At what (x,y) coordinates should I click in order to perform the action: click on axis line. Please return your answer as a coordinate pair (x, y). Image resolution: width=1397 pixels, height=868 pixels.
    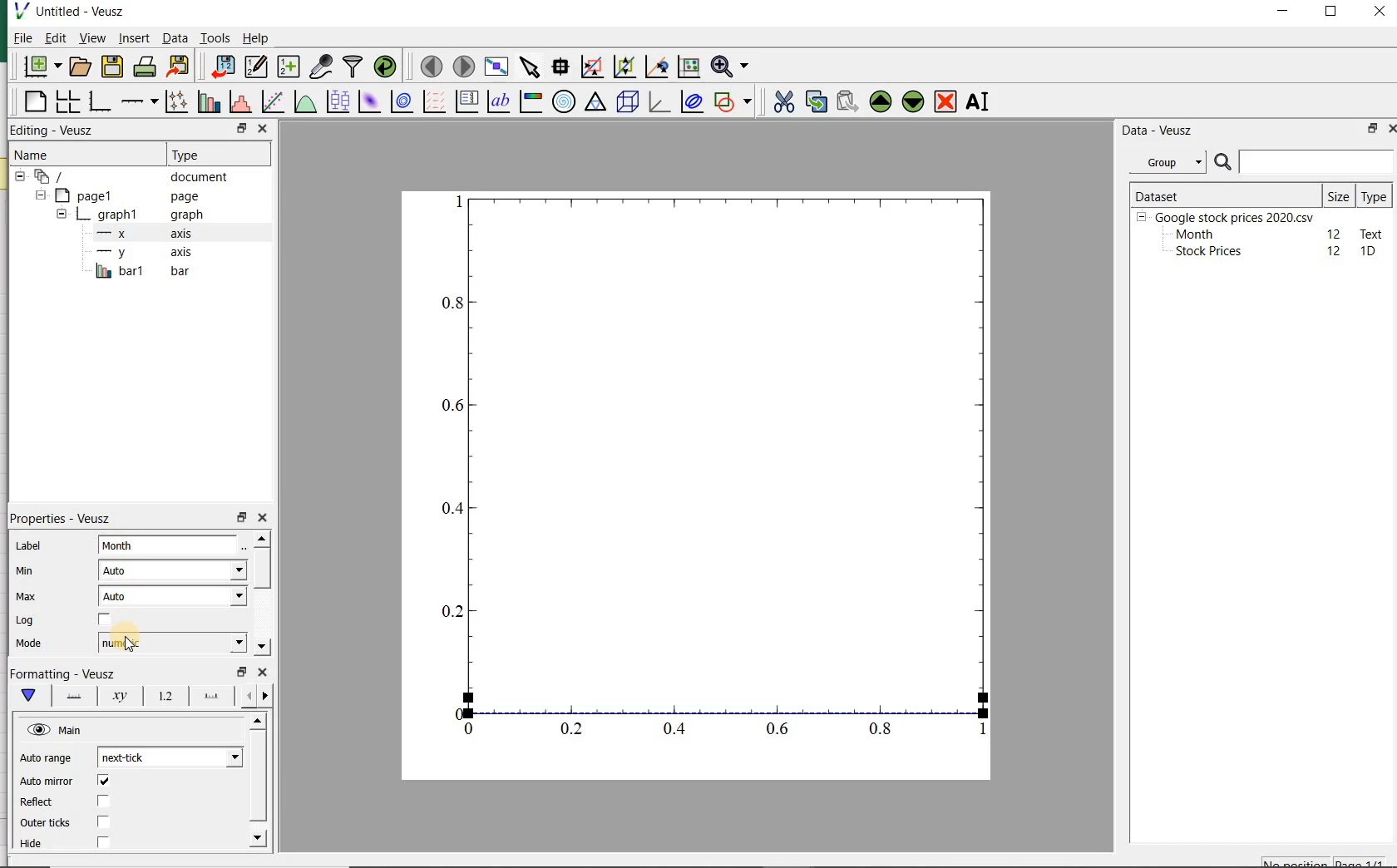
    Looking at the image, I should click on (70, 695).